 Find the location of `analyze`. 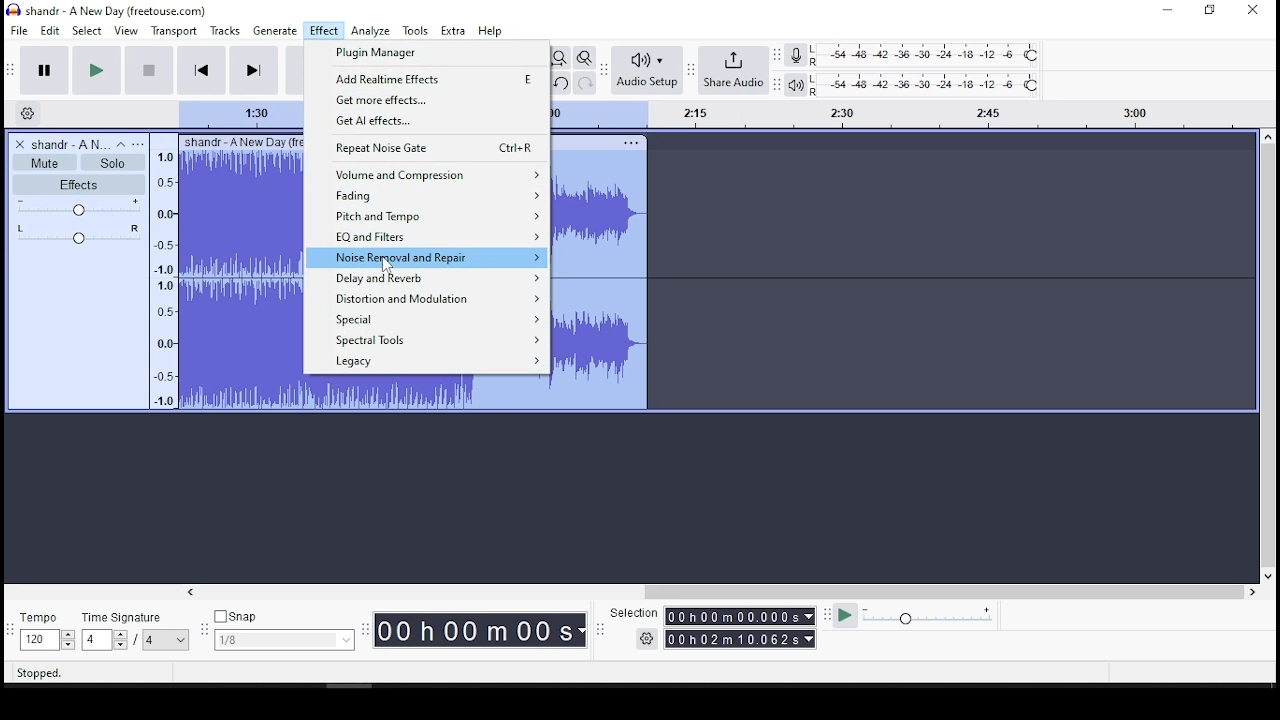

analyze is located at coordinates (371, 30).